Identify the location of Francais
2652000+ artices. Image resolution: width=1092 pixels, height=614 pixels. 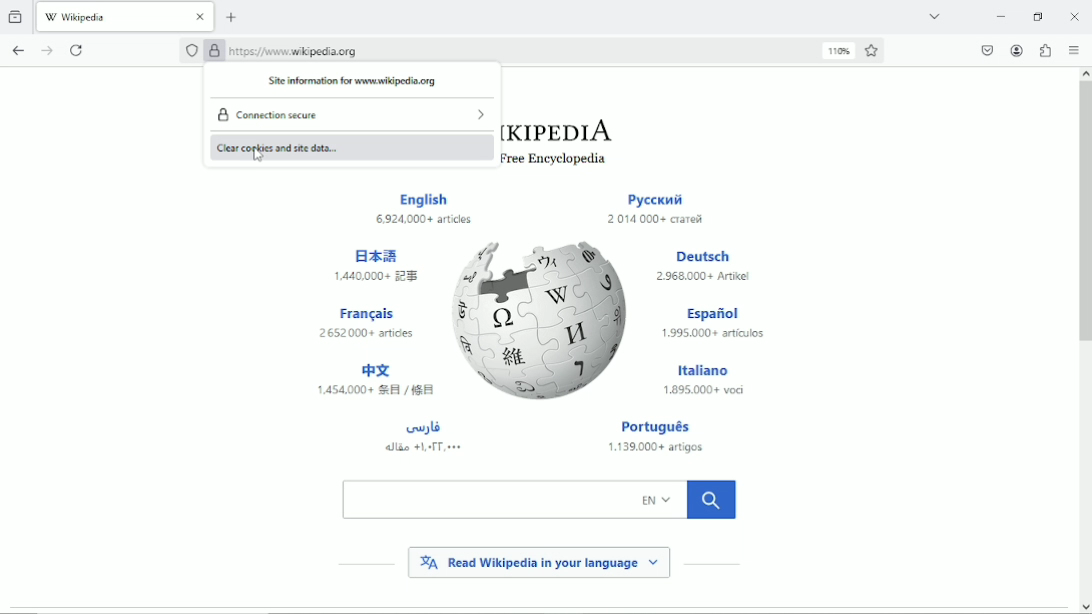
(368, 322).